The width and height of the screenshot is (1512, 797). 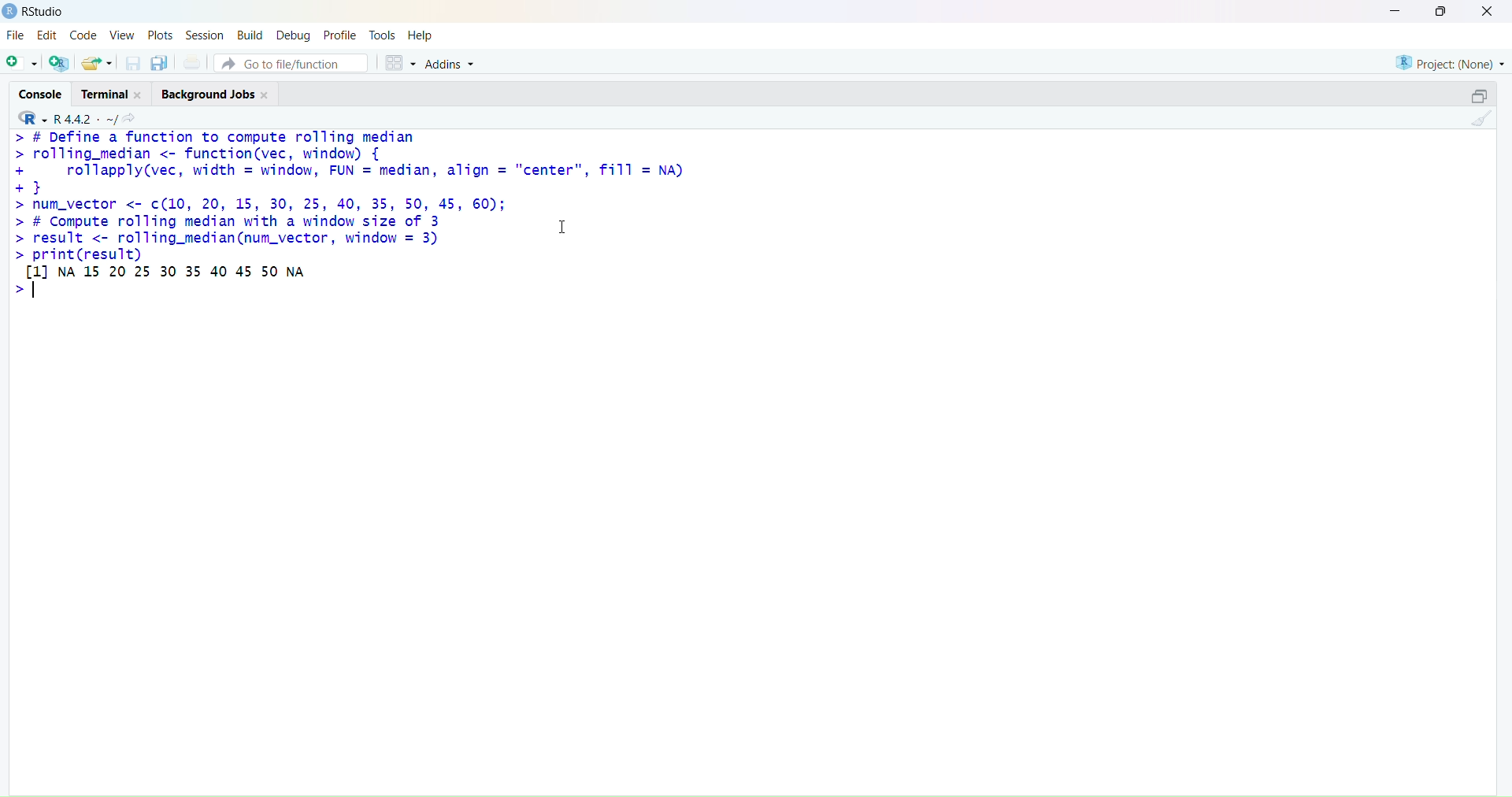 What do you see at coordinates (192, 62) in the screenshot?
I see `print` at bounding box center [192, 62].